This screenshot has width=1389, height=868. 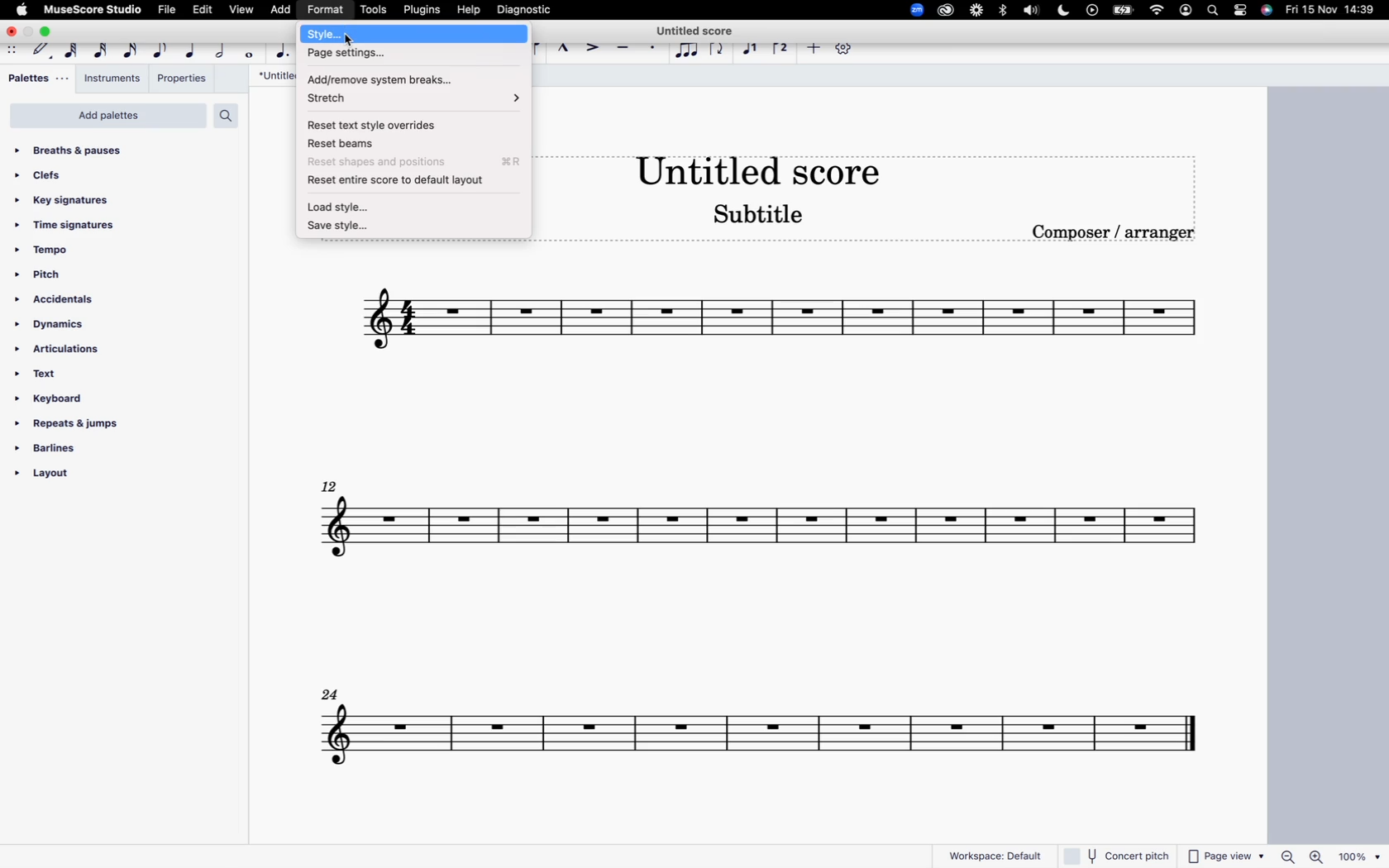 What do you see at coordinates (415, 35) in the screenshot?
I see `style` at bounding box center [415, 35].